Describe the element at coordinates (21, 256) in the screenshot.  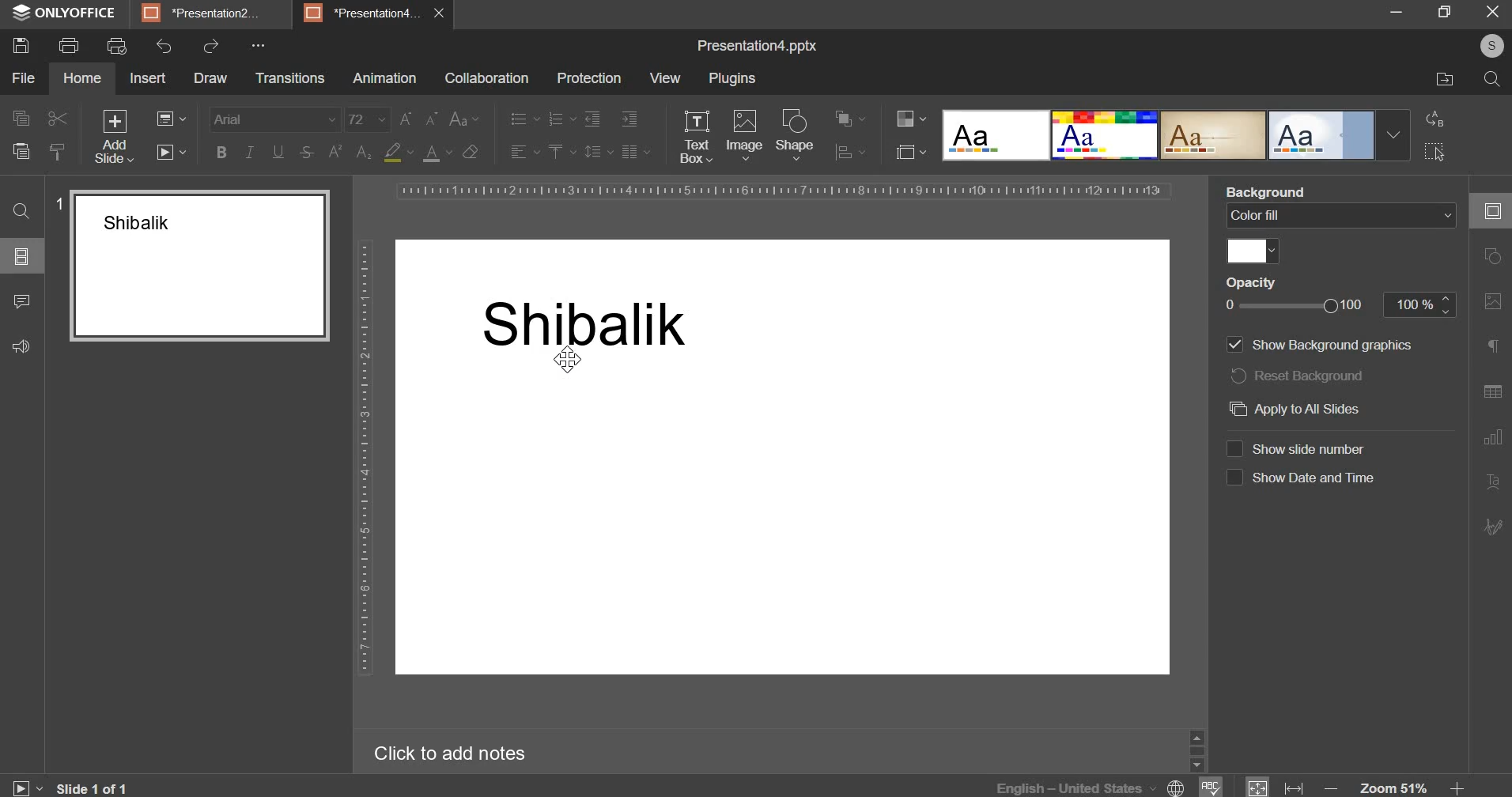
I see `slide menu` at that location.